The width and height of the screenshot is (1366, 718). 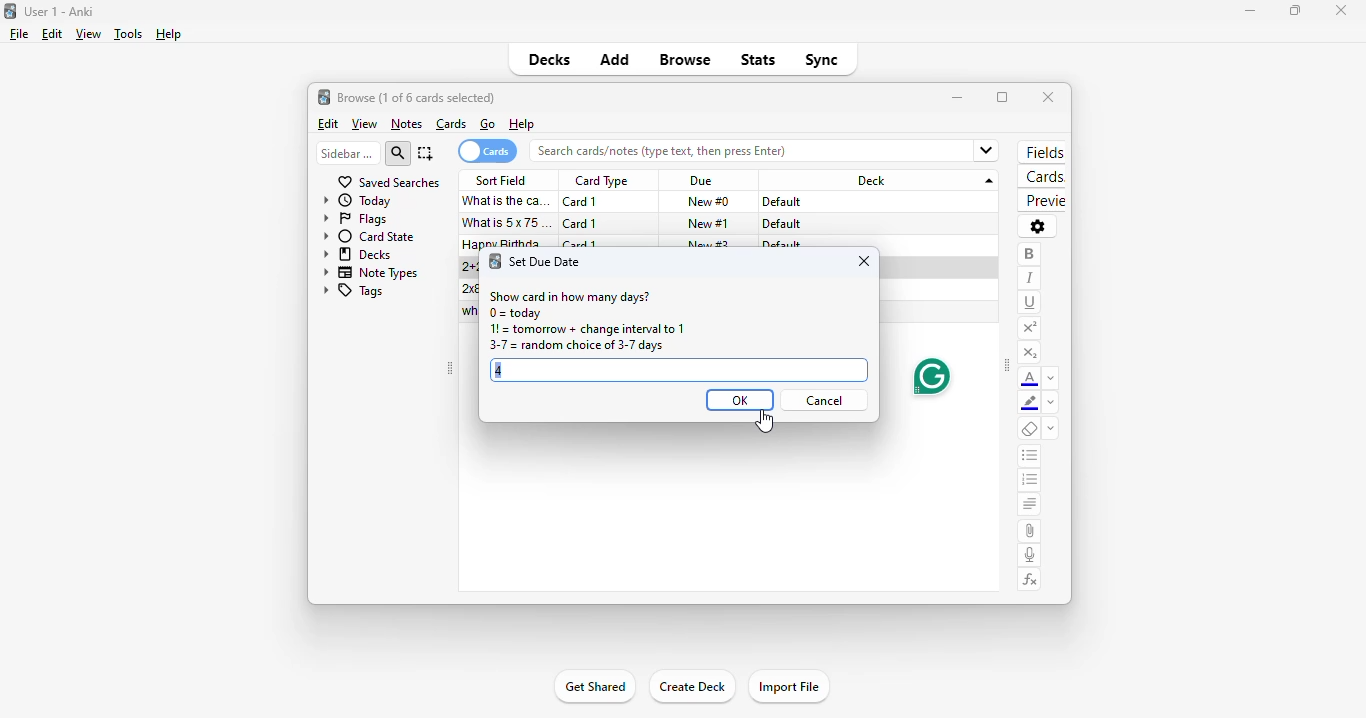 What do you see at coordinates (502, 369) in the screenshot?
I see `4` at bounding box center [502, 369].